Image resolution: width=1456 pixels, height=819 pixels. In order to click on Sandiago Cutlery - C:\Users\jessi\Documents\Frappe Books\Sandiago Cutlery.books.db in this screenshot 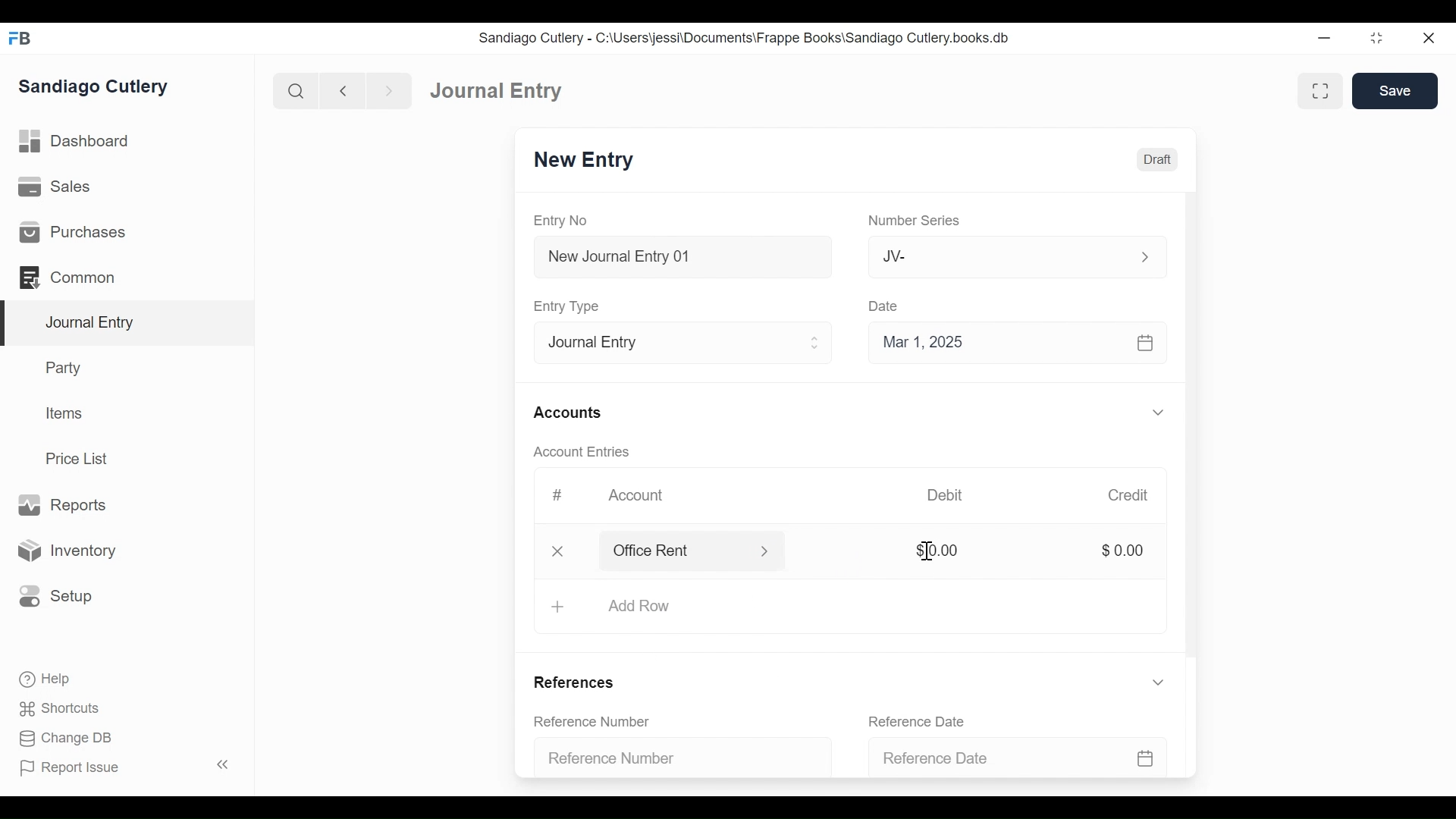, I will do `click(748, 37)`.